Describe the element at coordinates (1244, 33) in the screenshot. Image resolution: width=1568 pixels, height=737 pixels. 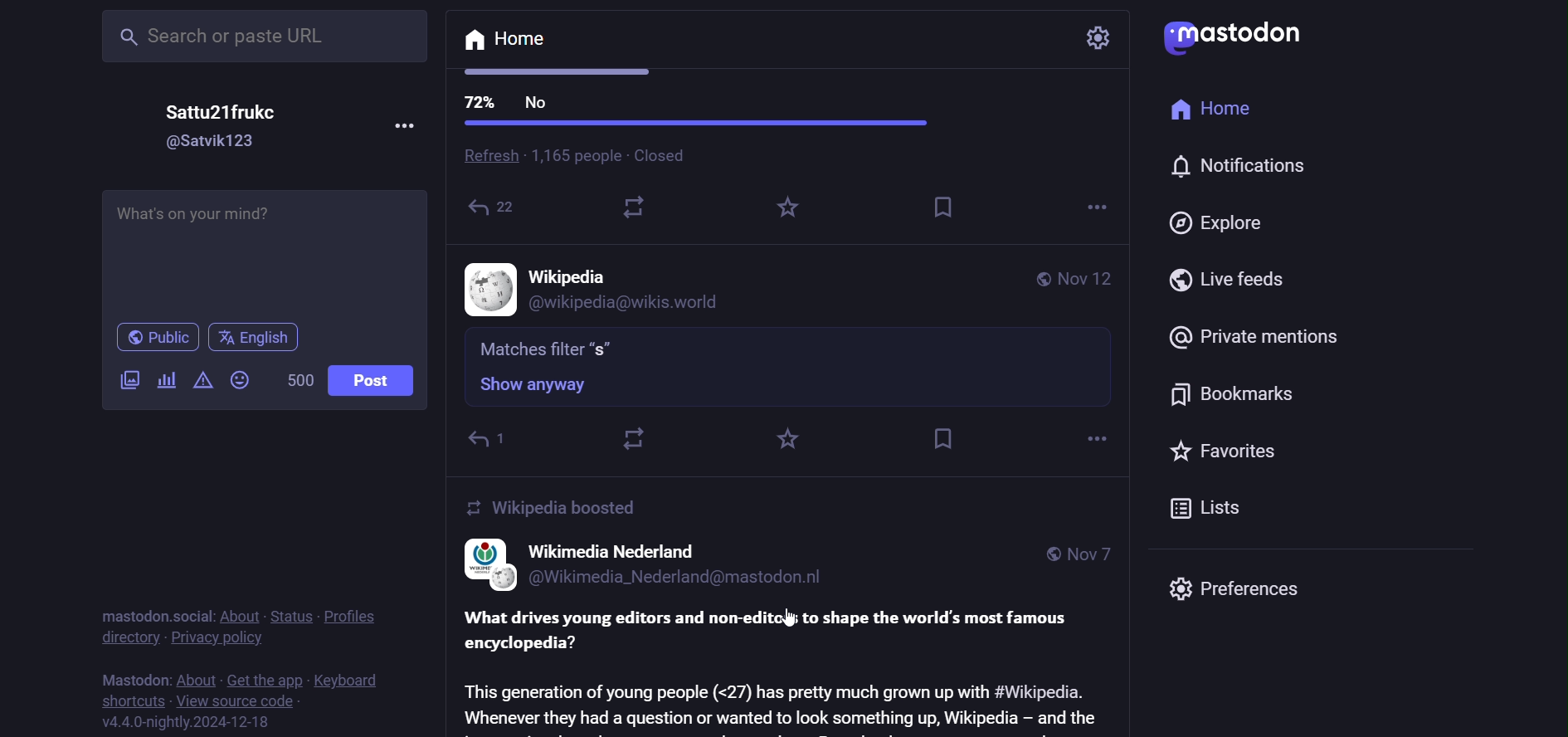
I see `logo` at that location.